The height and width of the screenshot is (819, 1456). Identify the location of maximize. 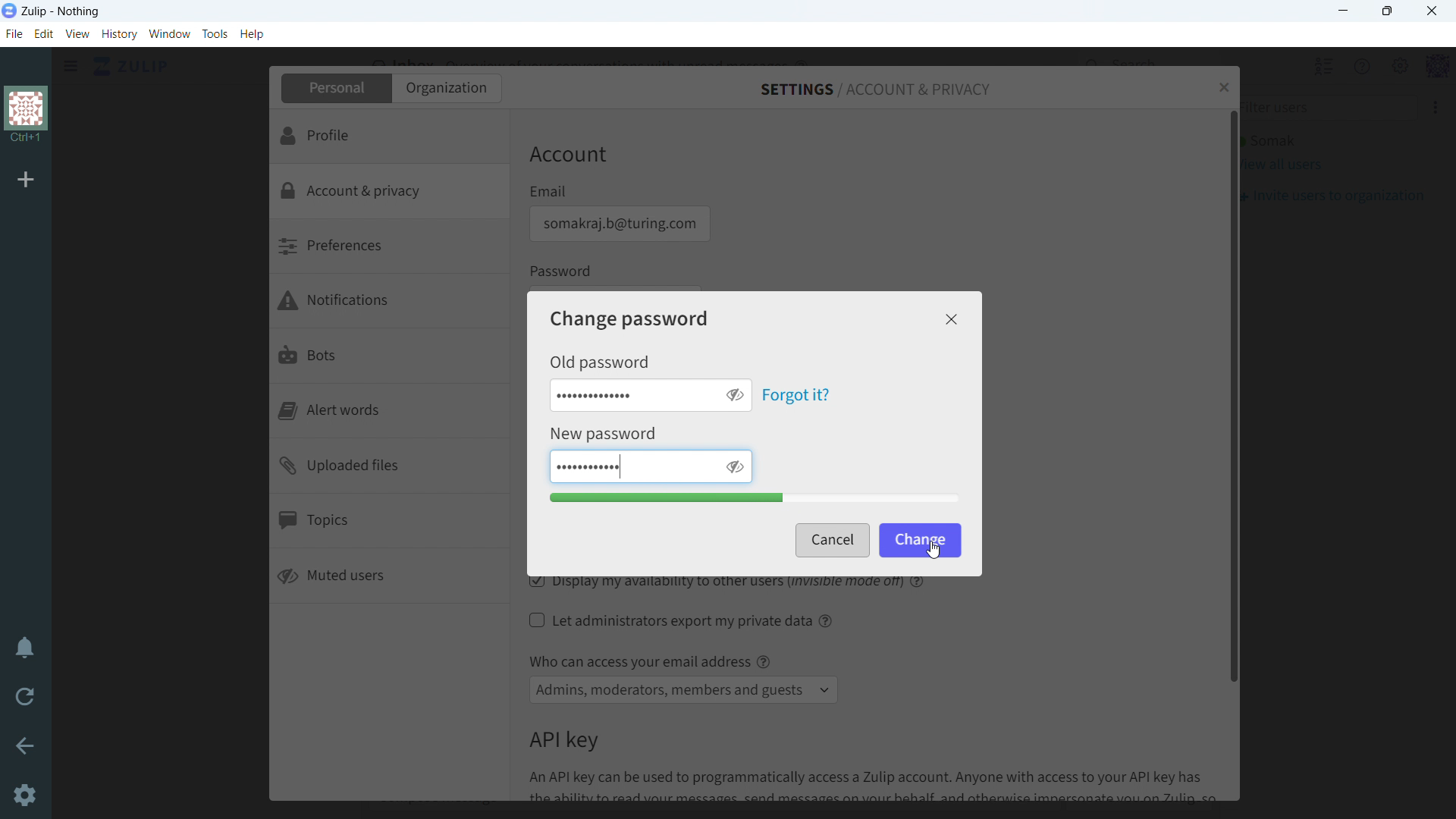
(1386, 11).